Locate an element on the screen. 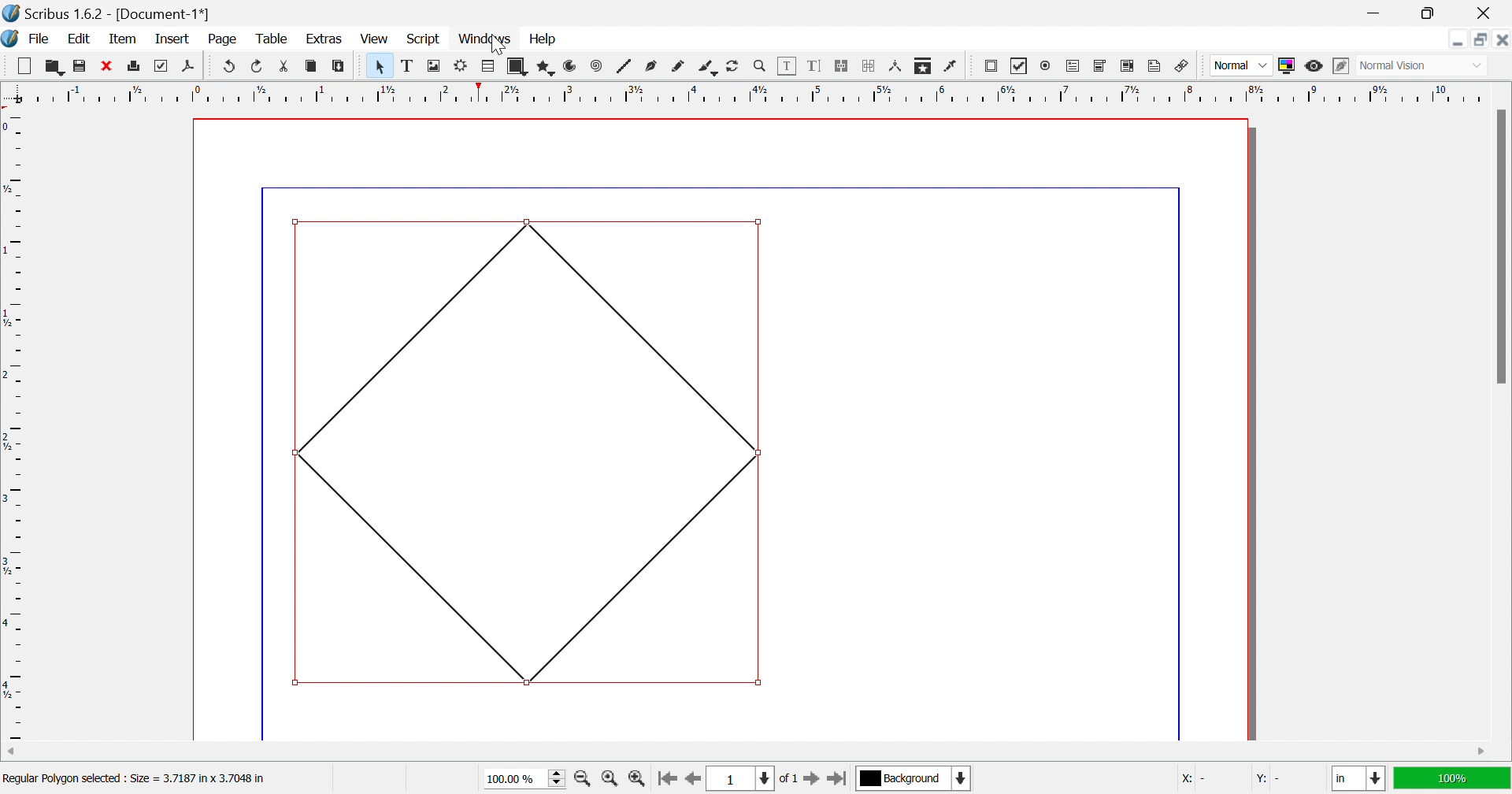 This screenshot has width=1512, height=794. PDF combo box is located at coordinates (1101, 66).